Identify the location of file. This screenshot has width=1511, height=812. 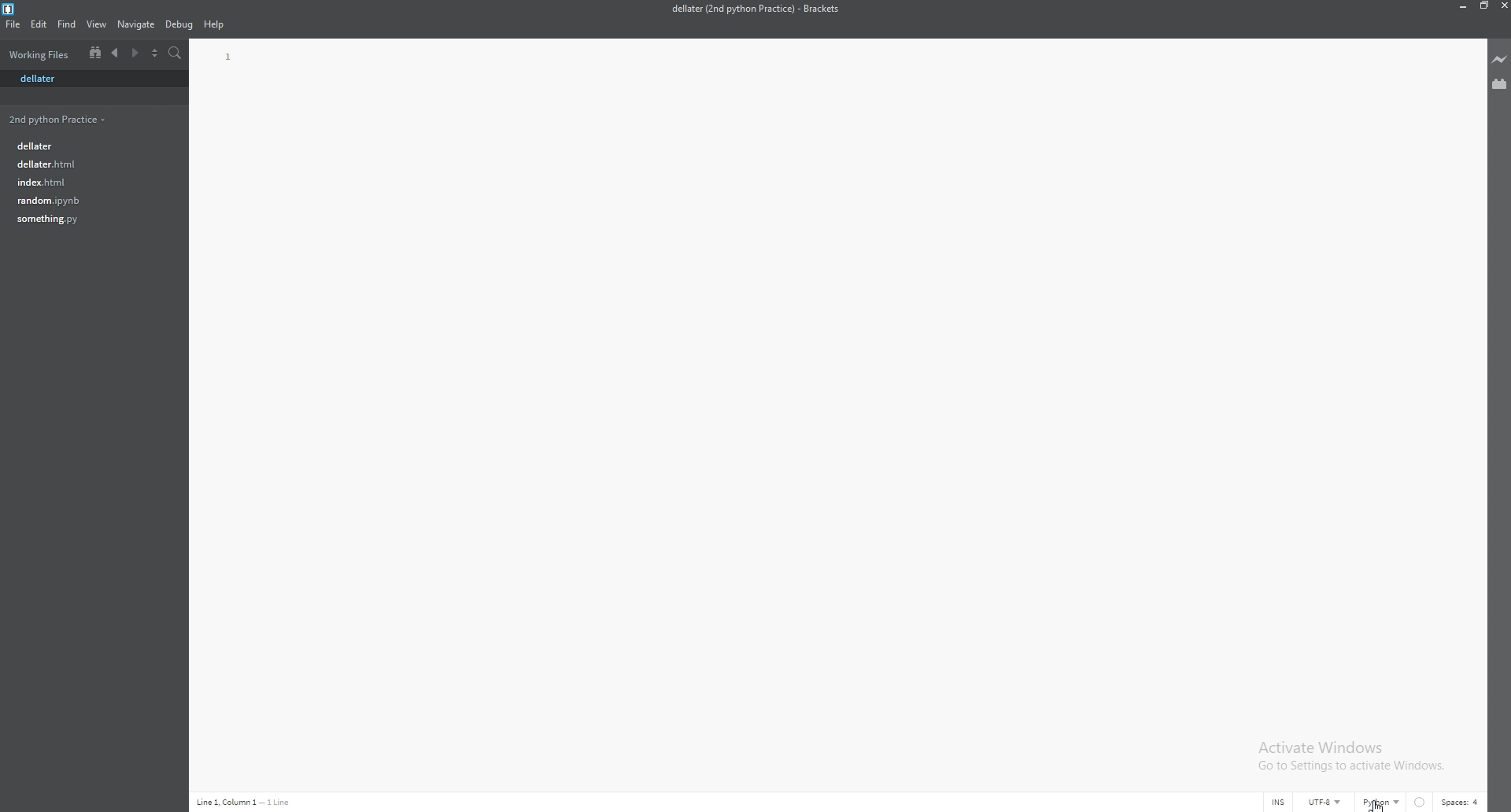
(13, 24).